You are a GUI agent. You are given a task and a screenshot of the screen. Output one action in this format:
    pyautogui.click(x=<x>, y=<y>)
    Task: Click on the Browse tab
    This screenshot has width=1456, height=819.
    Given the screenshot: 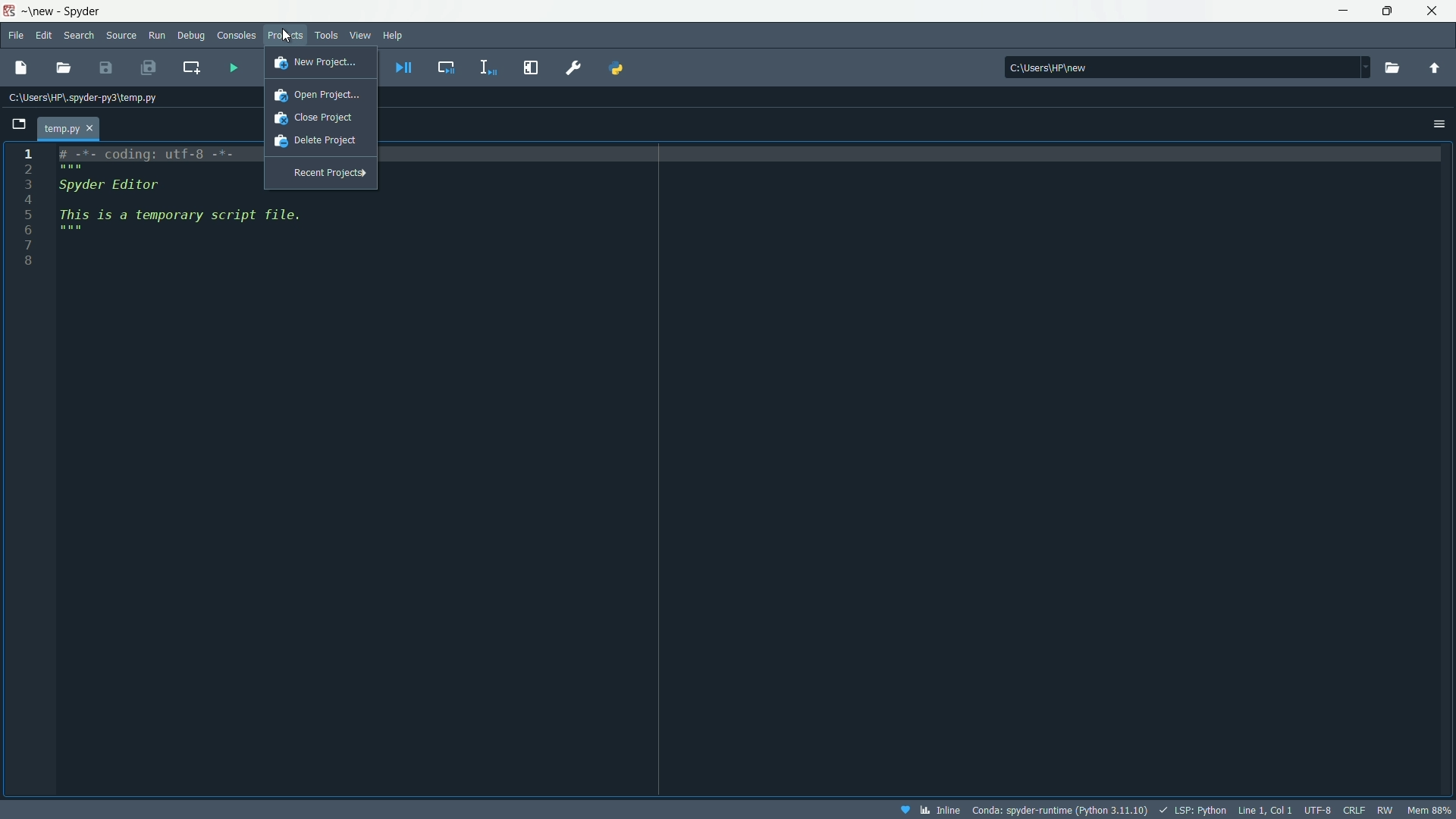 What is the action you would take?
    pyautogui.click(x=19, y=122)
    